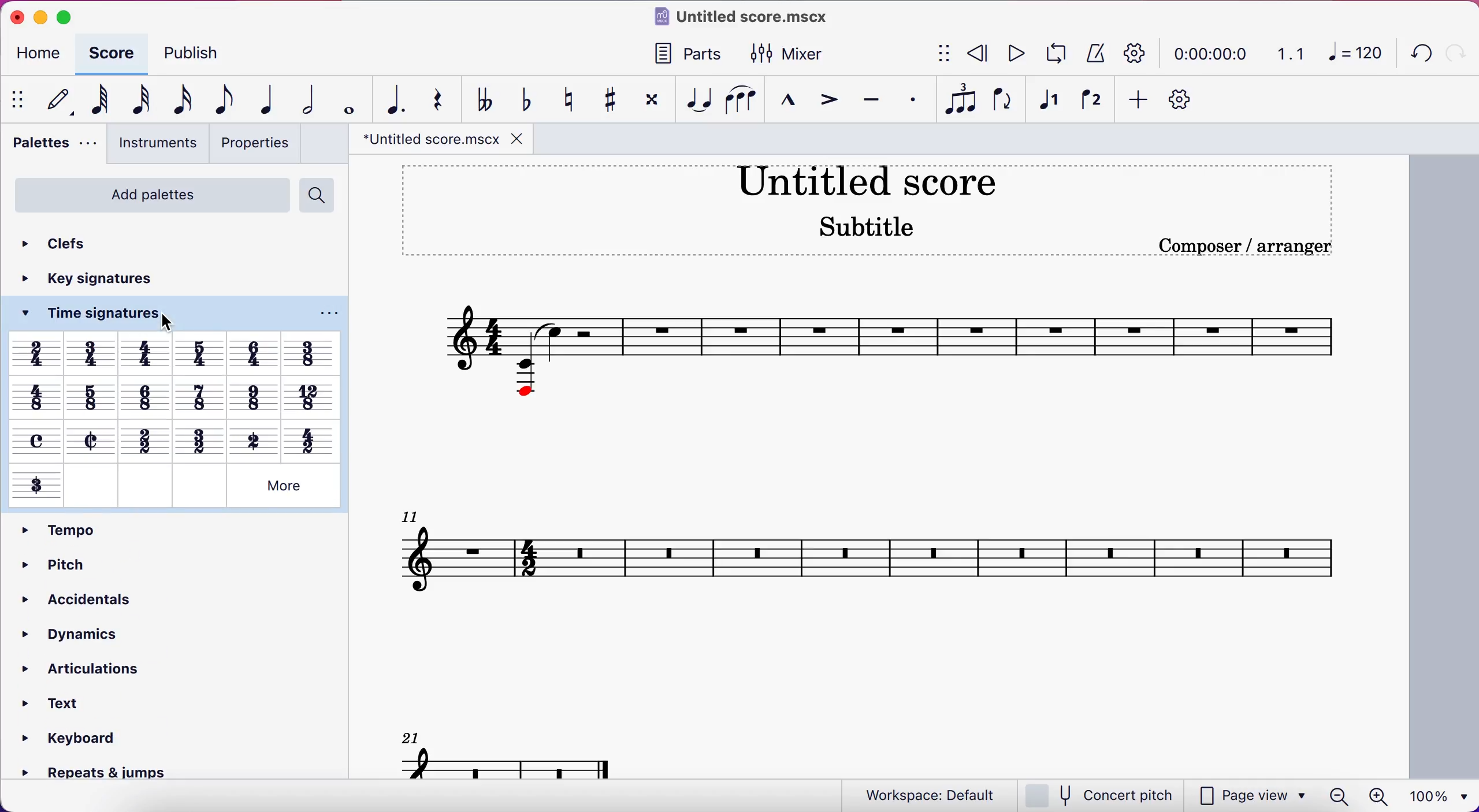 The image size is (1479, 812). What do you see at coordinates (36, 487) in the screenshot?
I see `Time signature` at bounding box center [36, 487].